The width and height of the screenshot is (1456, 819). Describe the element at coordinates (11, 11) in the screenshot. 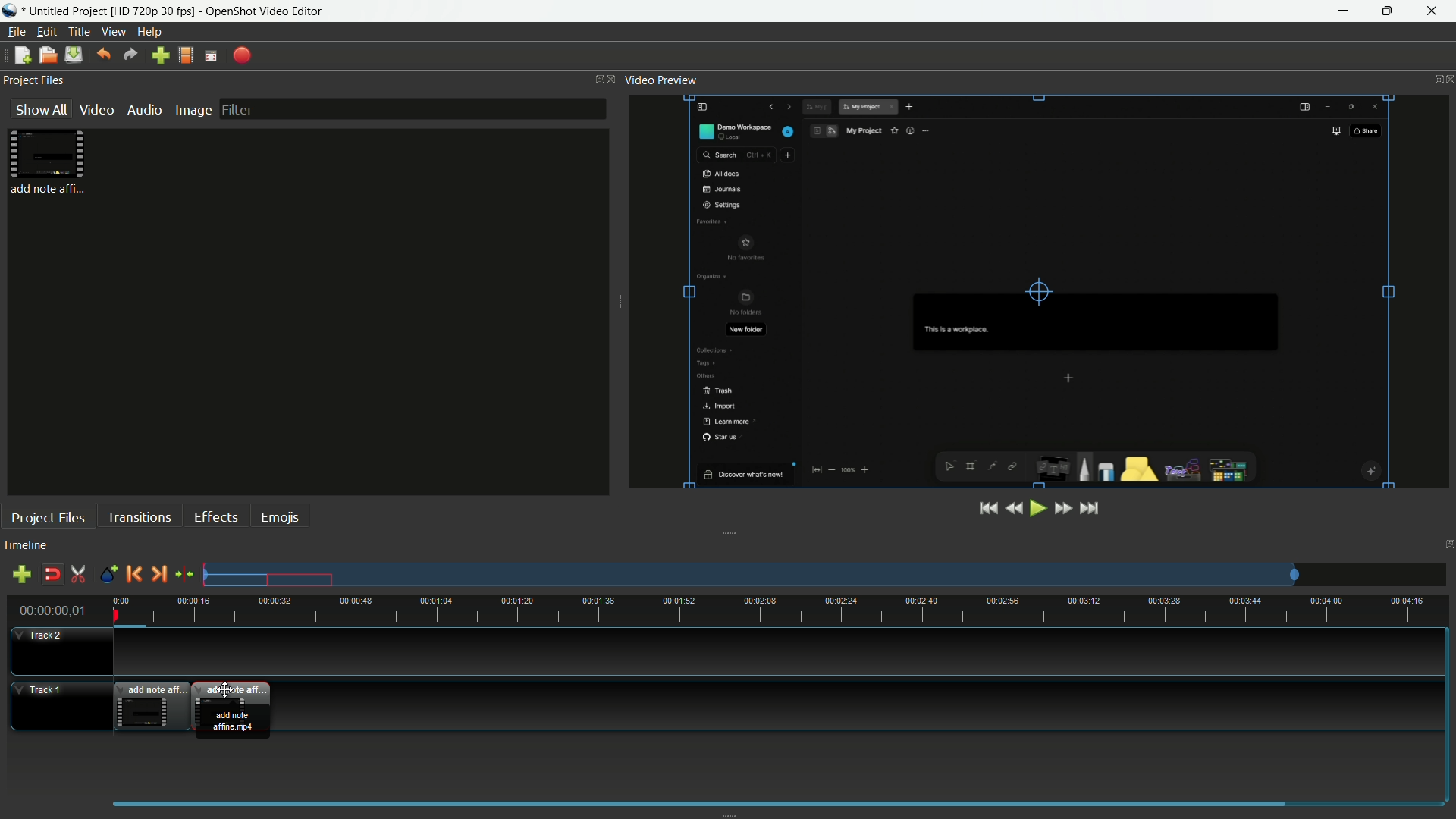

I see `app icon` at that location.